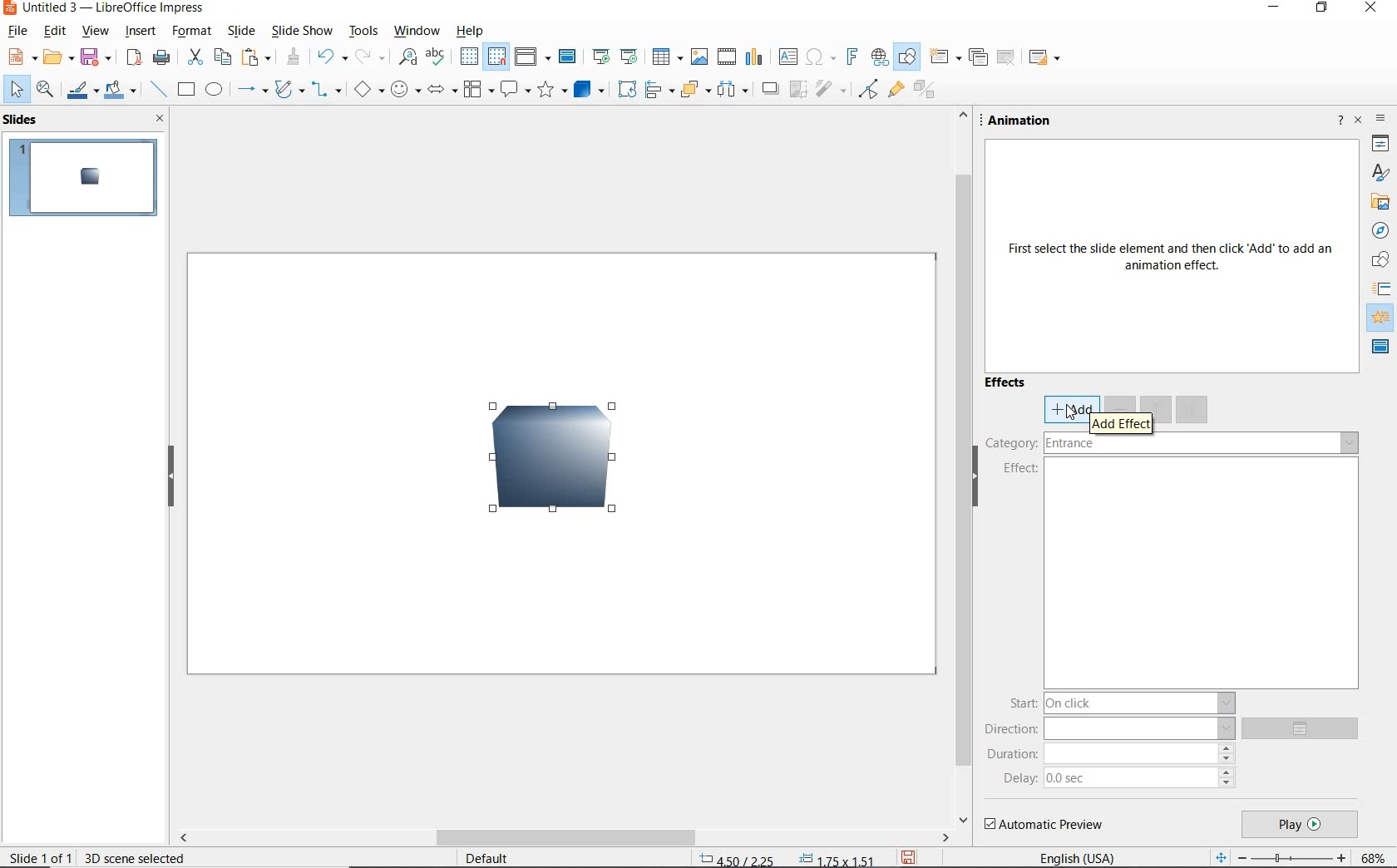 Image resolution: width=1397 pixels, height=868 pixels. Describe the element at coordinates (120, 91) in the screenshot. I see `fill color` at that location.